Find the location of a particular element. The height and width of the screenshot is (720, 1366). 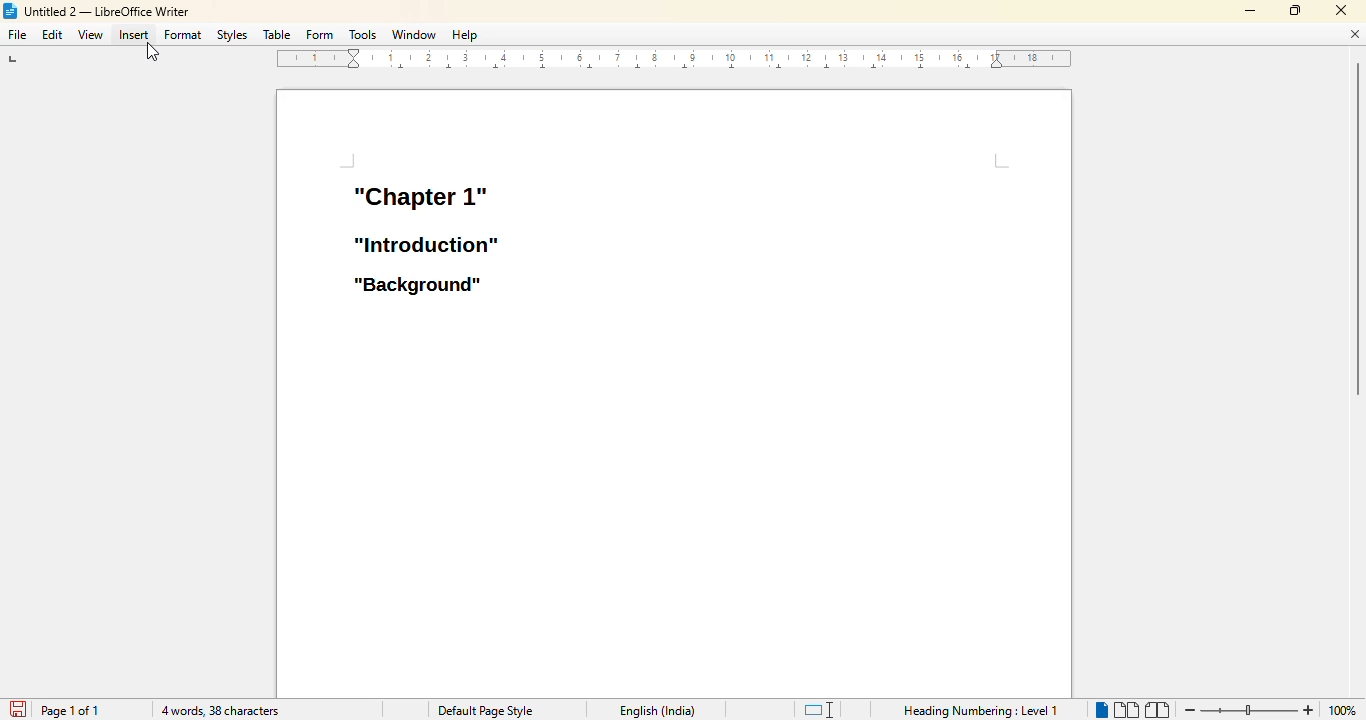

heading 1 is located at coordinates (419, 195).